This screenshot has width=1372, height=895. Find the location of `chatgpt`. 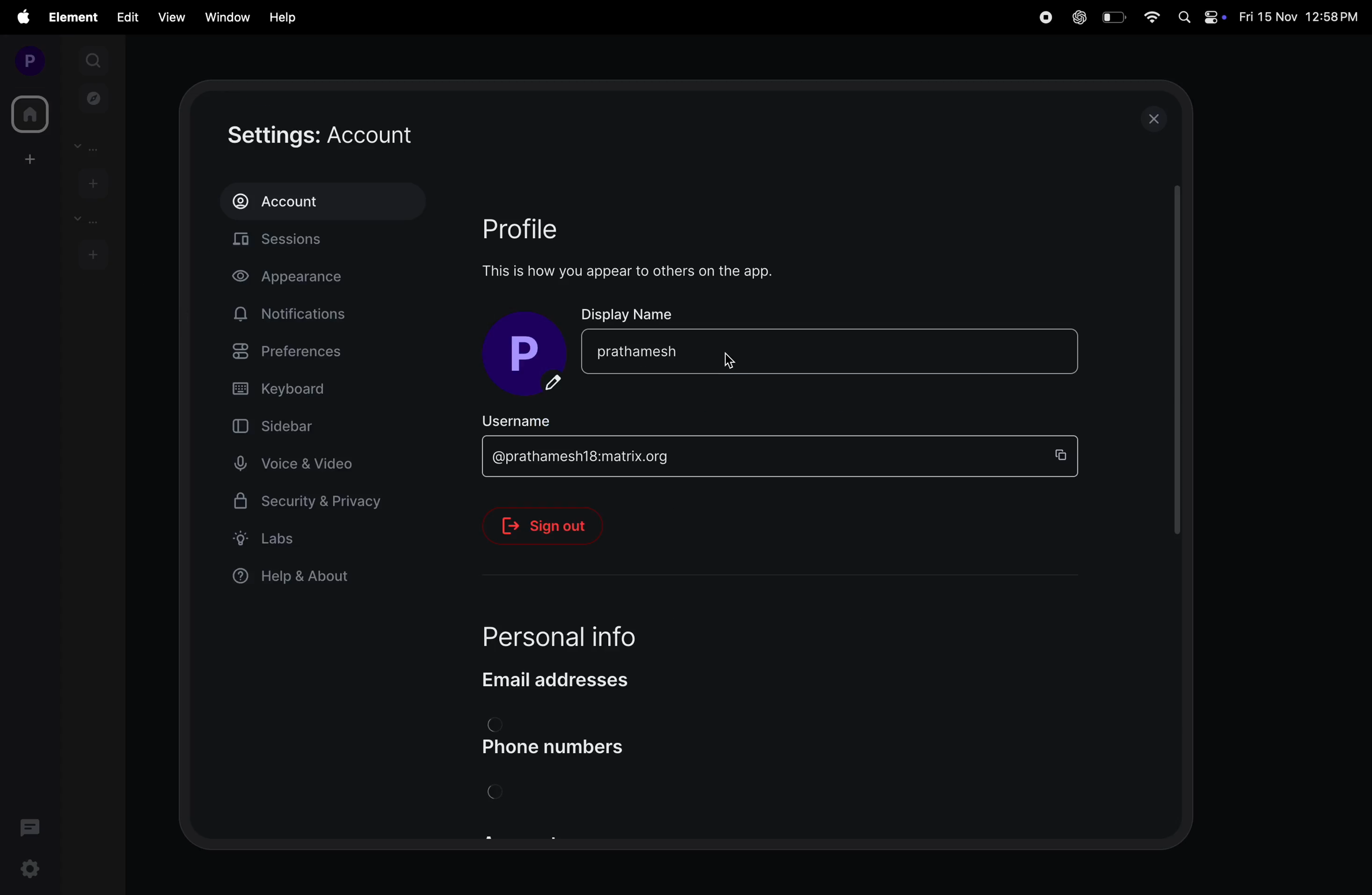

chatgpt is located at coordinates (1077, 18).